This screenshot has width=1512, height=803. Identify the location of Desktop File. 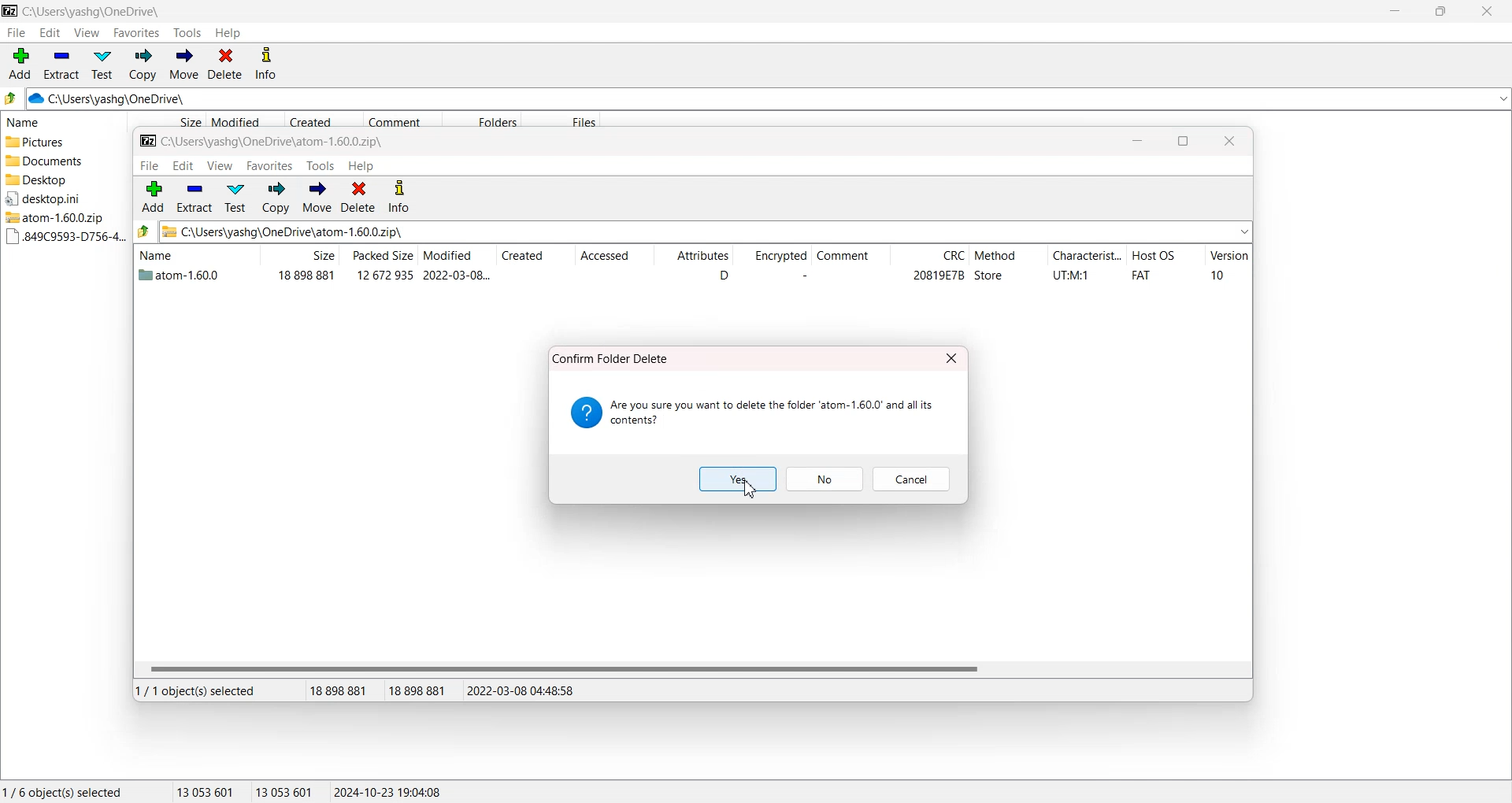
(60, 179).